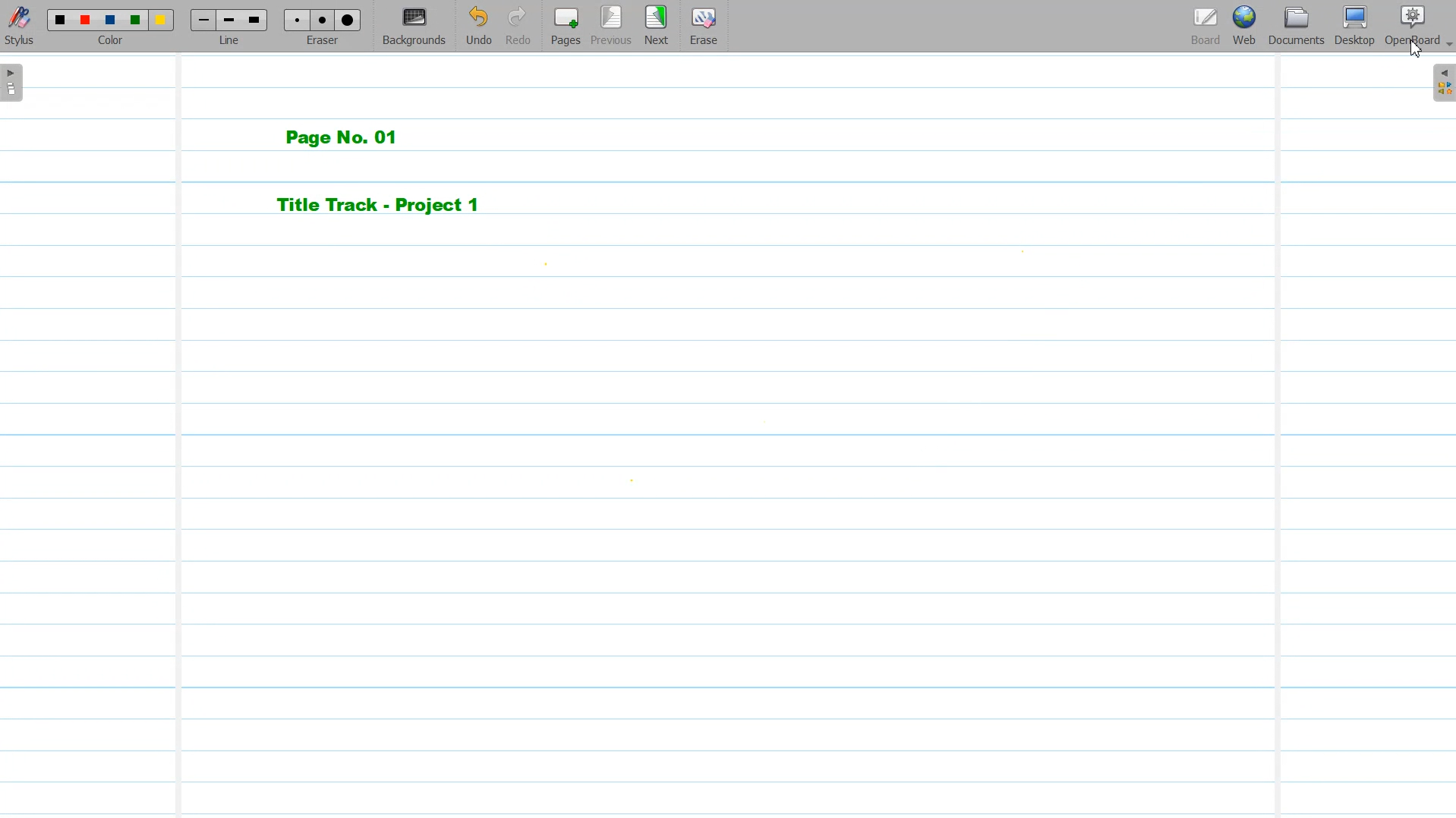 The image size is (1456, 818). Describe the element at coordinates (703, 25) in the screenshot. I see `Erase` at that location.